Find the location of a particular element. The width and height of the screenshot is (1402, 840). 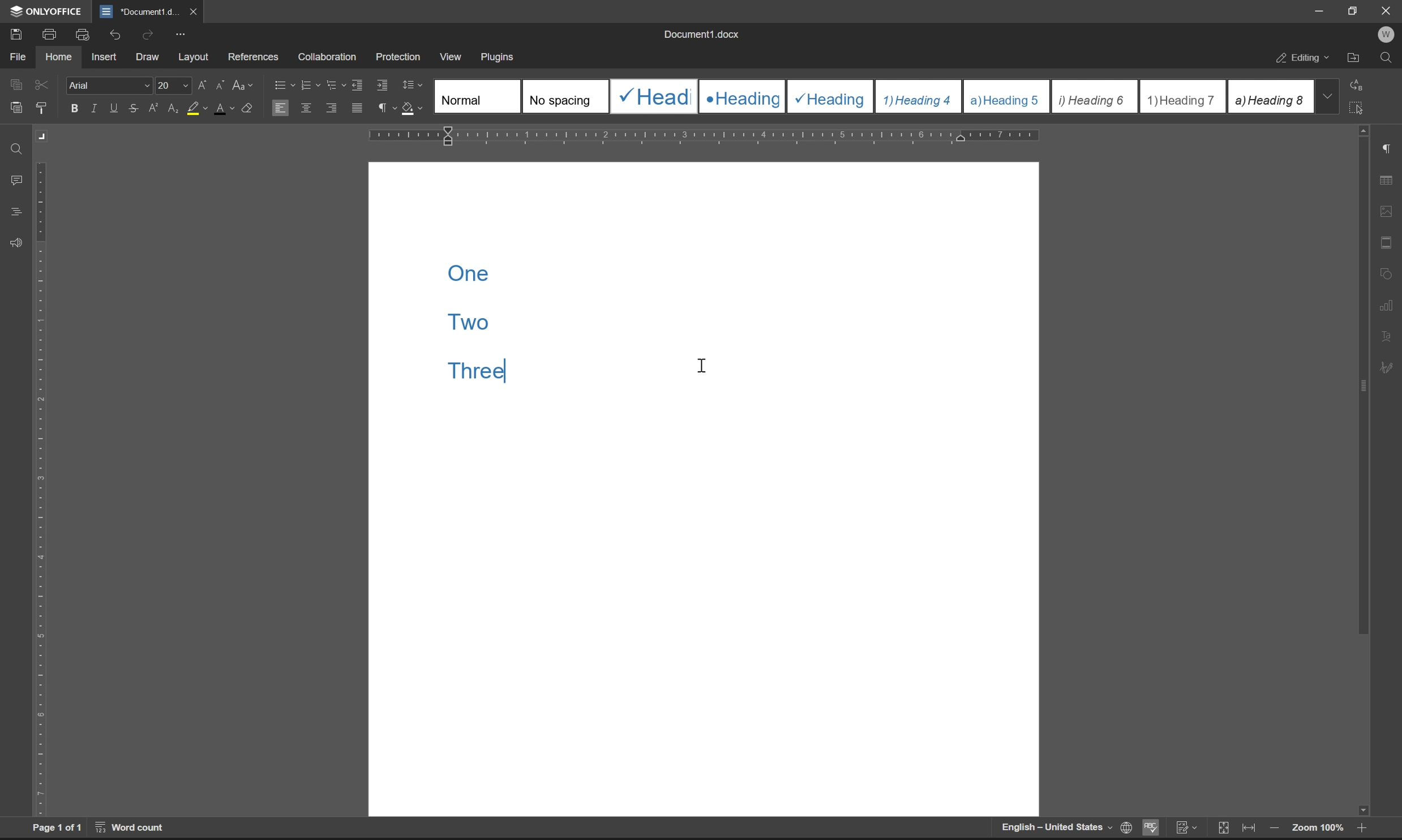

font color is located at coordinates (225, 108).